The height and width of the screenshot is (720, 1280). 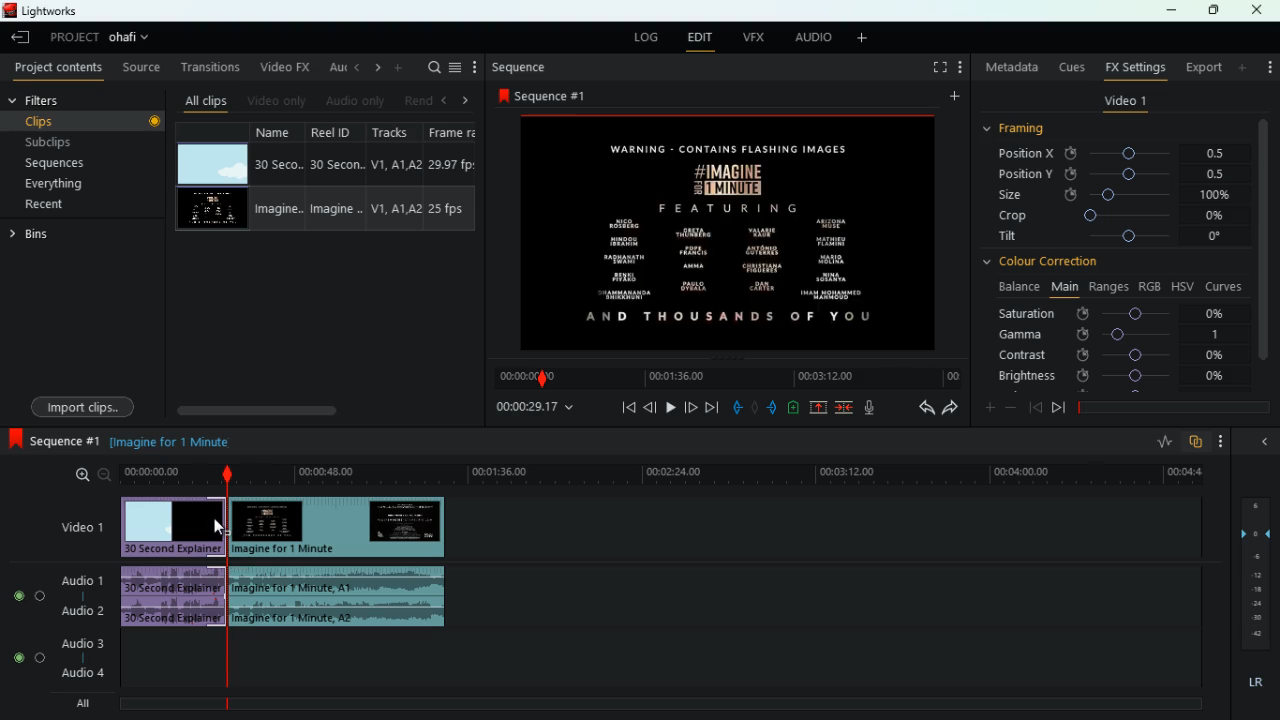 I want to click on back, so click(x=1035, y=407).